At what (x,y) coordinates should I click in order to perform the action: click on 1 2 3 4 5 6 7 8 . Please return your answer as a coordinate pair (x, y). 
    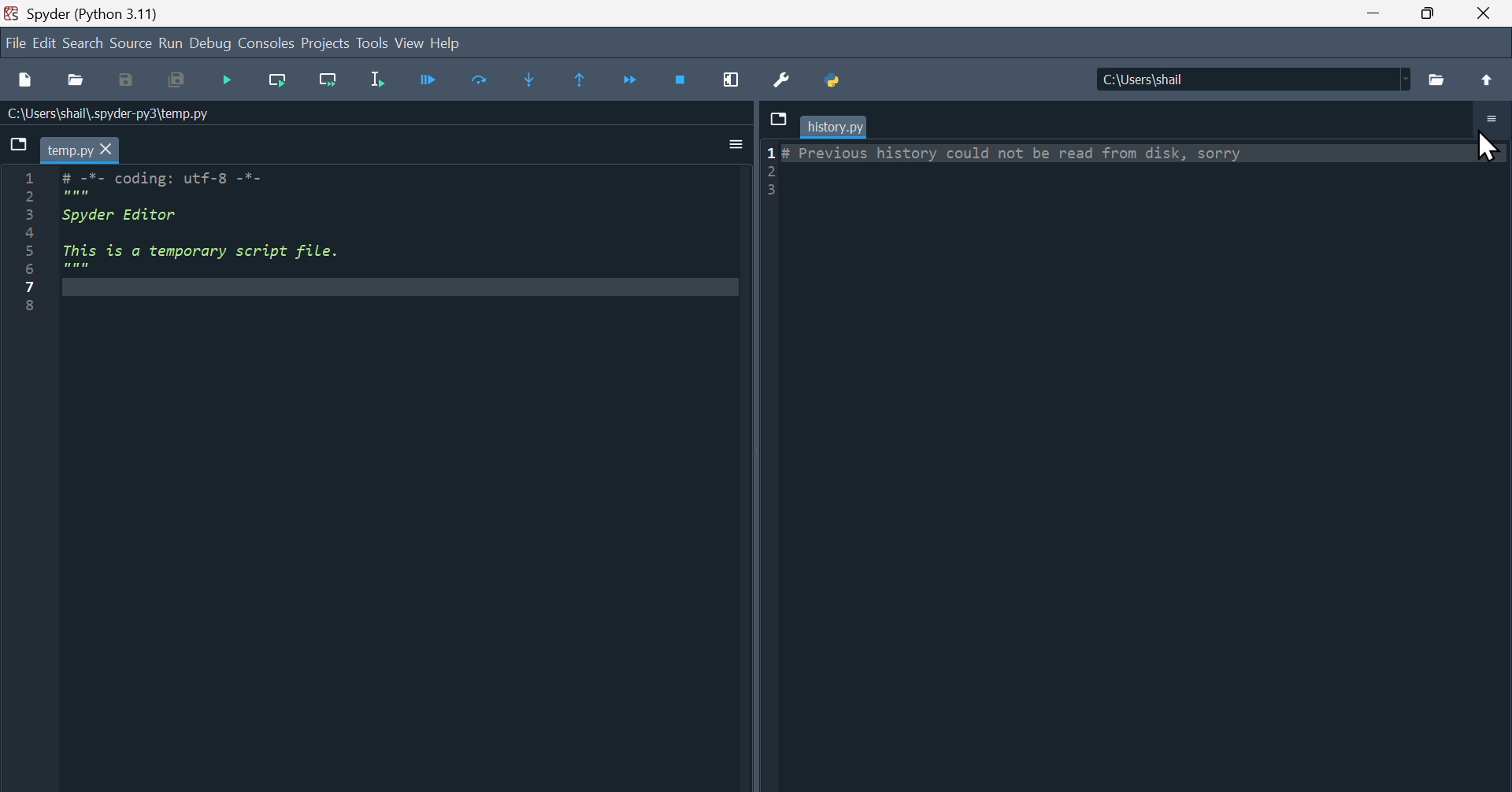
    Looking at the image, I should click on (31, 244).